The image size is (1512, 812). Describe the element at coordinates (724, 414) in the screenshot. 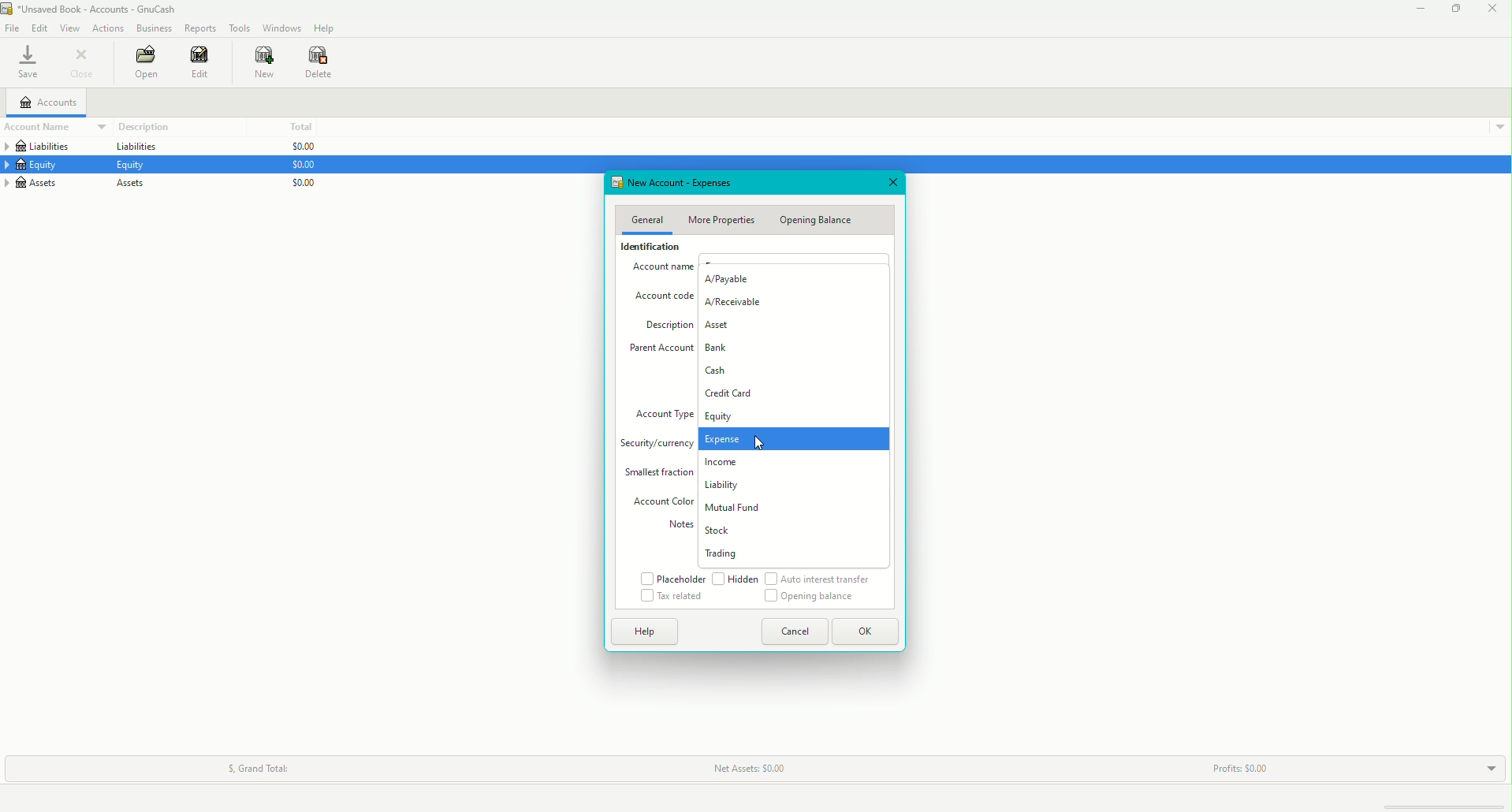

I see `Equity` at that location.